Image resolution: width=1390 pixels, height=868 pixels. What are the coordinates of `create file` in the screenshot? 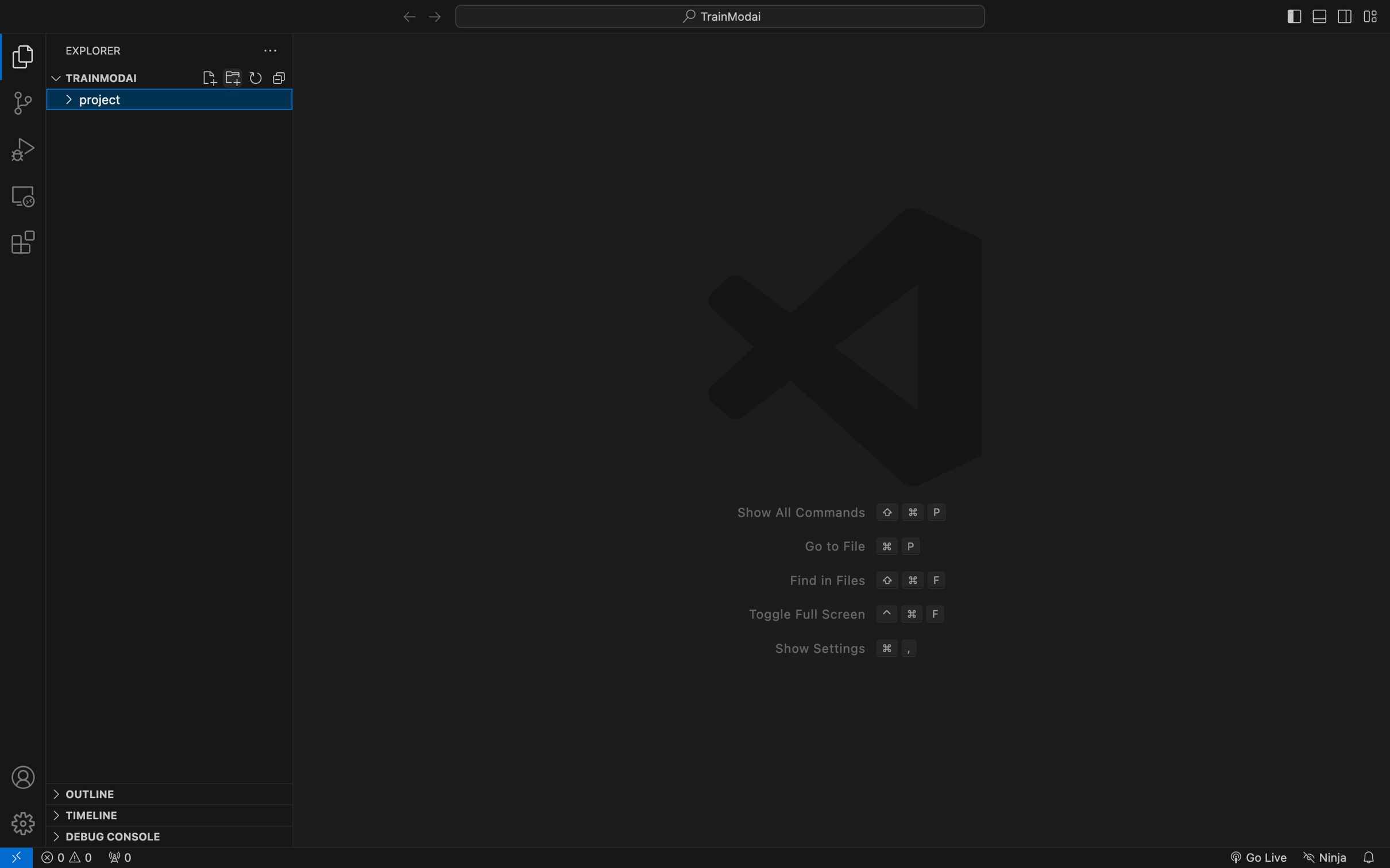 It's located at (209, 76).